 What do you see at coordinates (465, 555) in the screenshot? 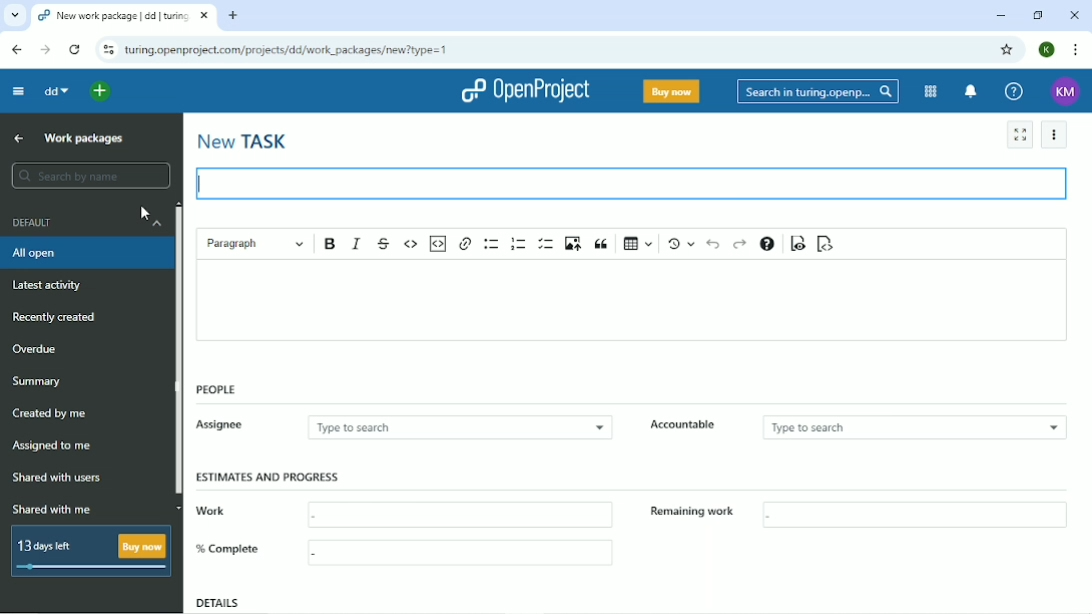
I see `box` at bounding box center [465, 555].